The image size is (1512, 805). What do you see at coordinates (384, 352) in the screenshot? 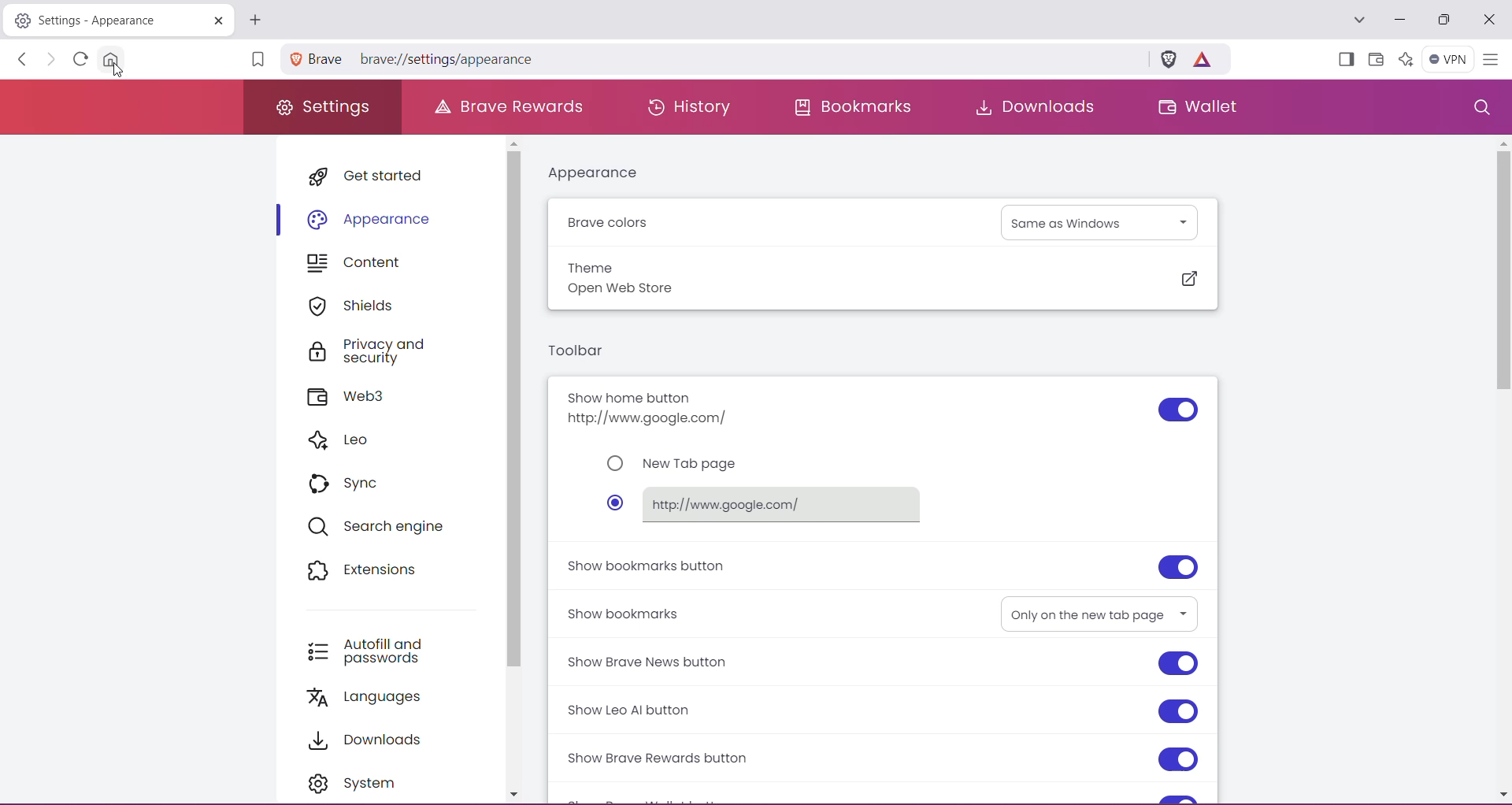
I see `Privacy and security` at bounding box center [384, 352].